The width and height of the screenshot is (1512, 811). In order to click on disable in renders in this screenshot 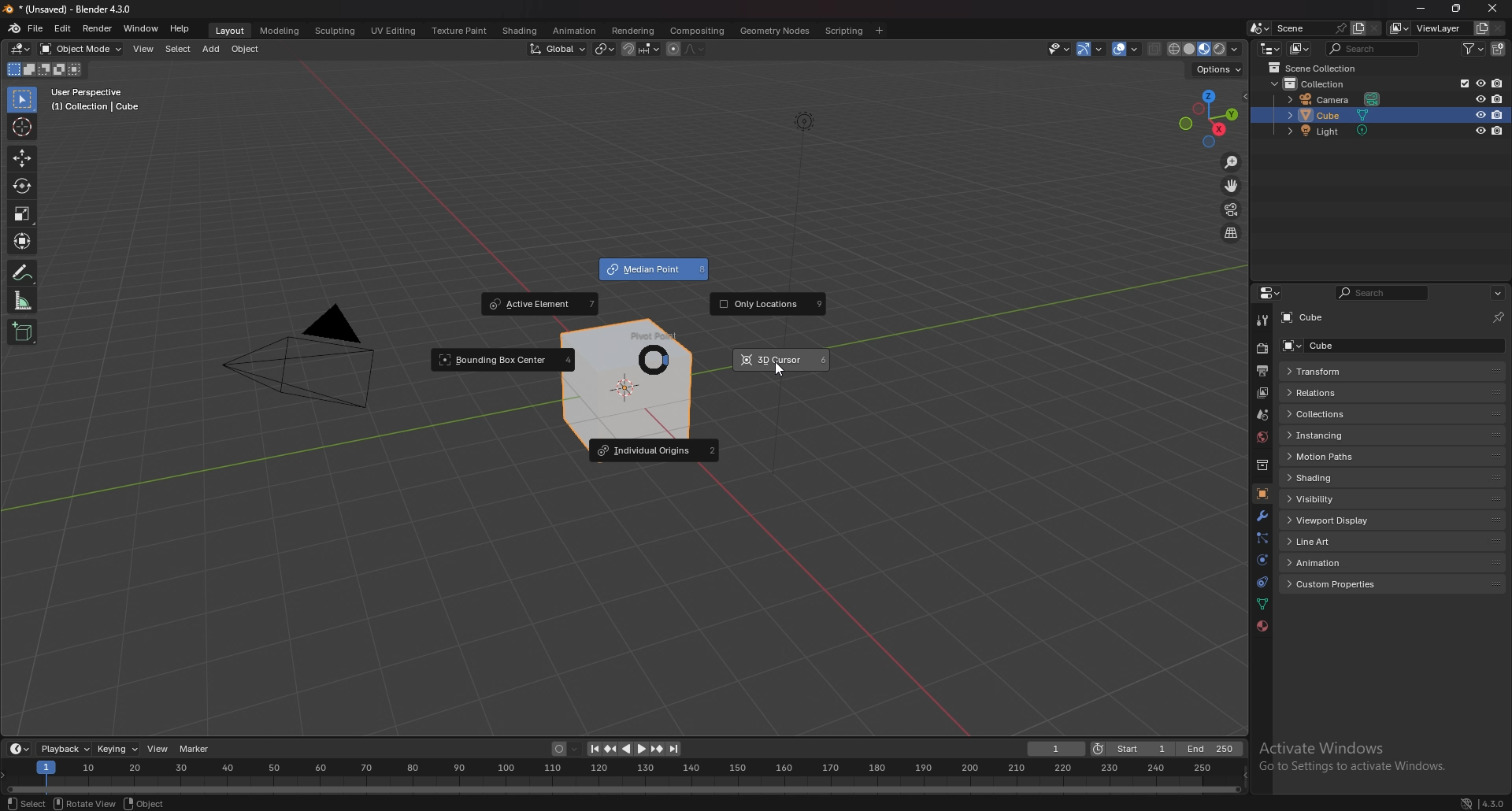, I will do `click(1498, 114)`.